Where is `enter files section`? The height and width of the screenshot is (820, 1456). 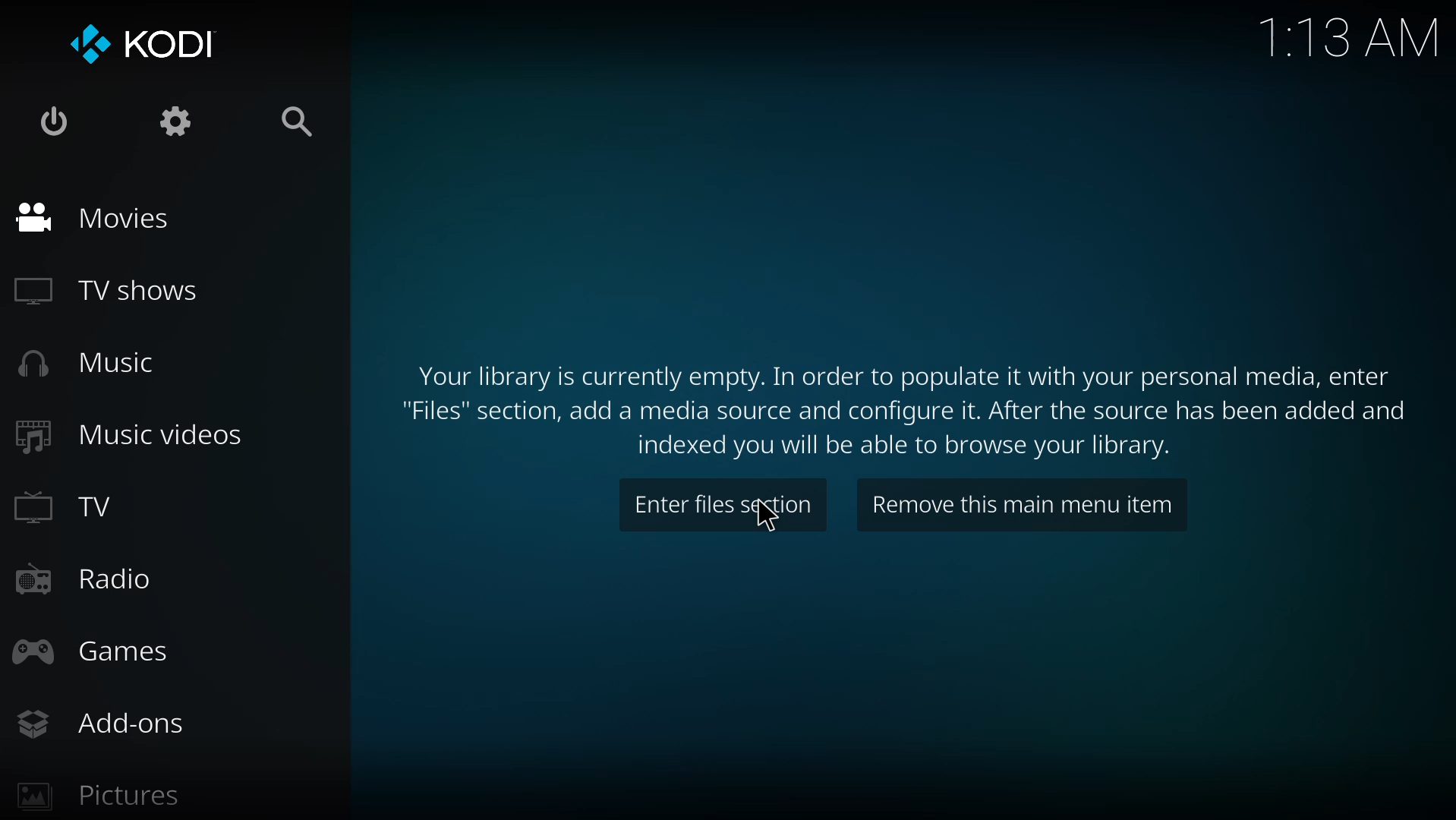
enter files section is located at coordinates (720, 506).